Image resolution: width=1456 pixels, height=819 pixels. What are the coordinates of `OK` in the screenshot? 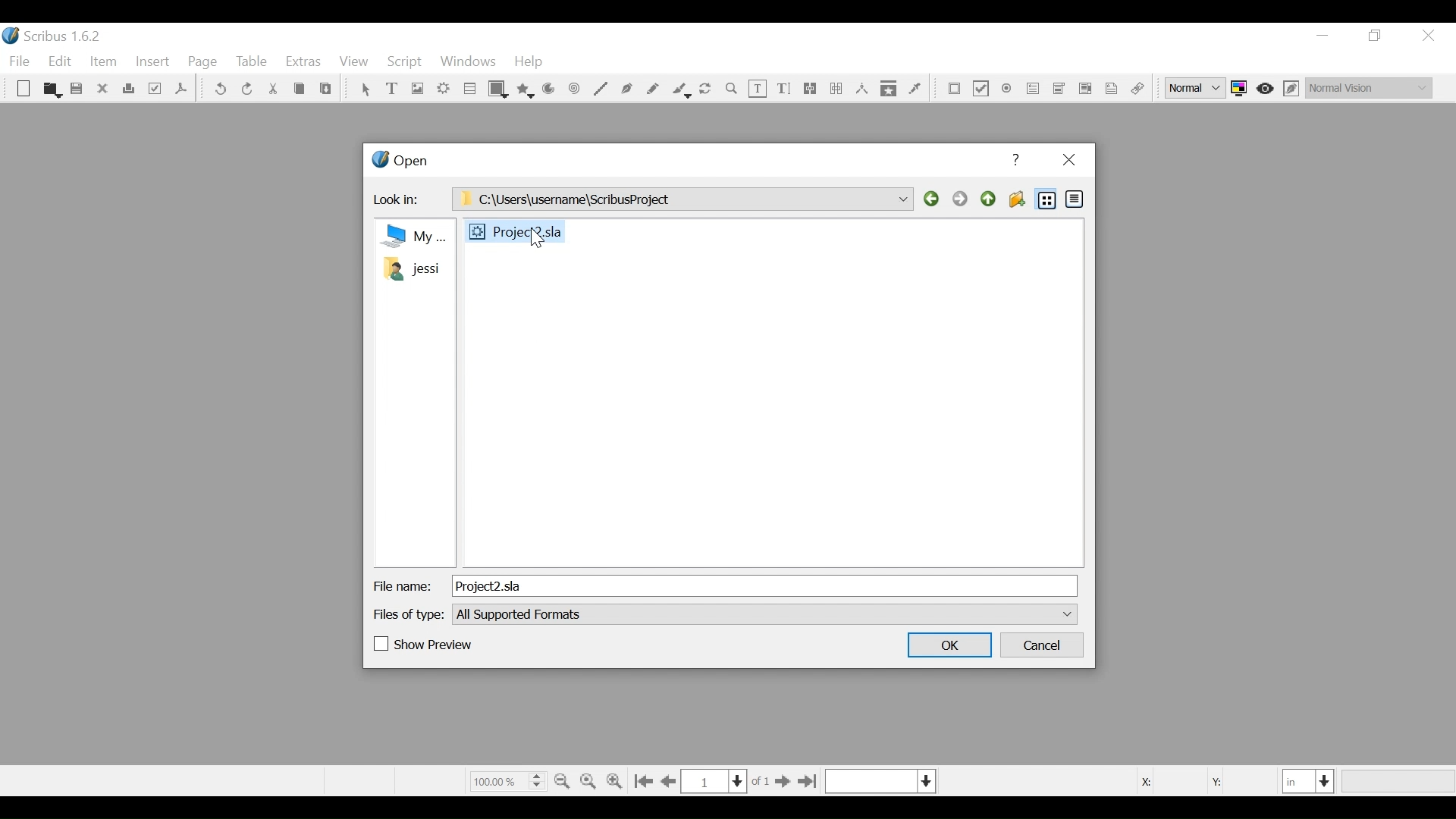 It's located at (950, 646).